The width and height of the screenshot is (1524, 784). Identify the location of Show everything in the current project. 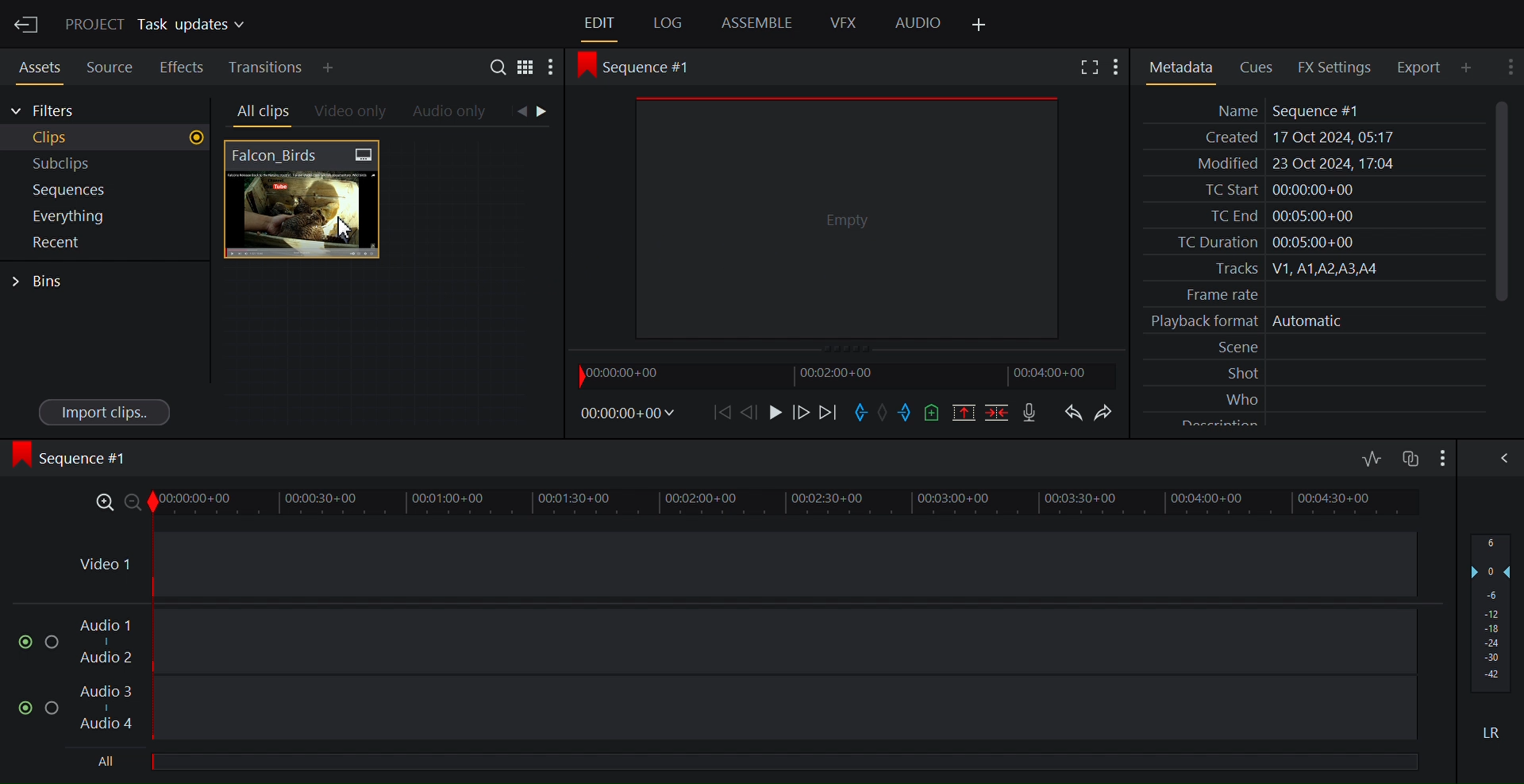
(103, 216).